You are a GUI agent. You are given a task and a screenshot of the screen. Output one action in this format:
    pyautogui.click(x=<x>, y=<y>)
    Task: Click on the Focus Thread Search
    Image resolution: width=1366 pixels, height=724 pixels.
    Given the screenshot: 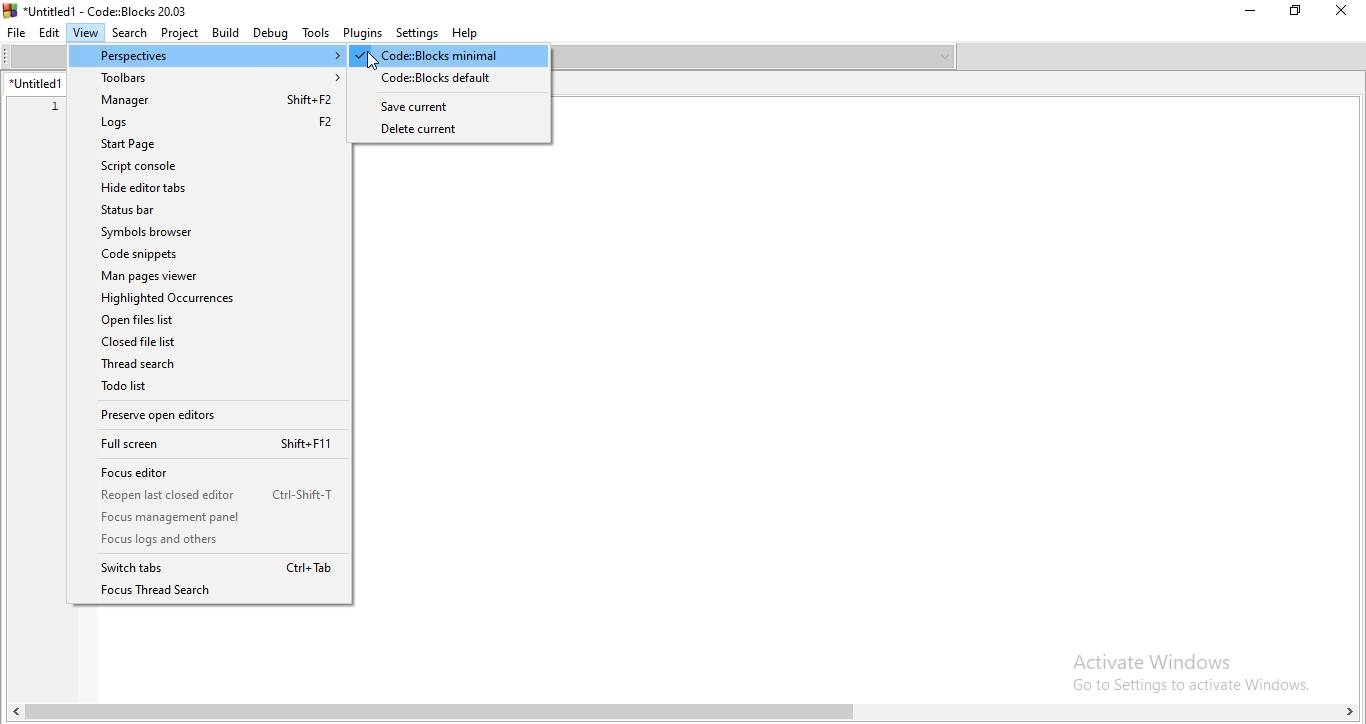 What is the action you would take?
    pyautogui.click(x=209, y=594)
    